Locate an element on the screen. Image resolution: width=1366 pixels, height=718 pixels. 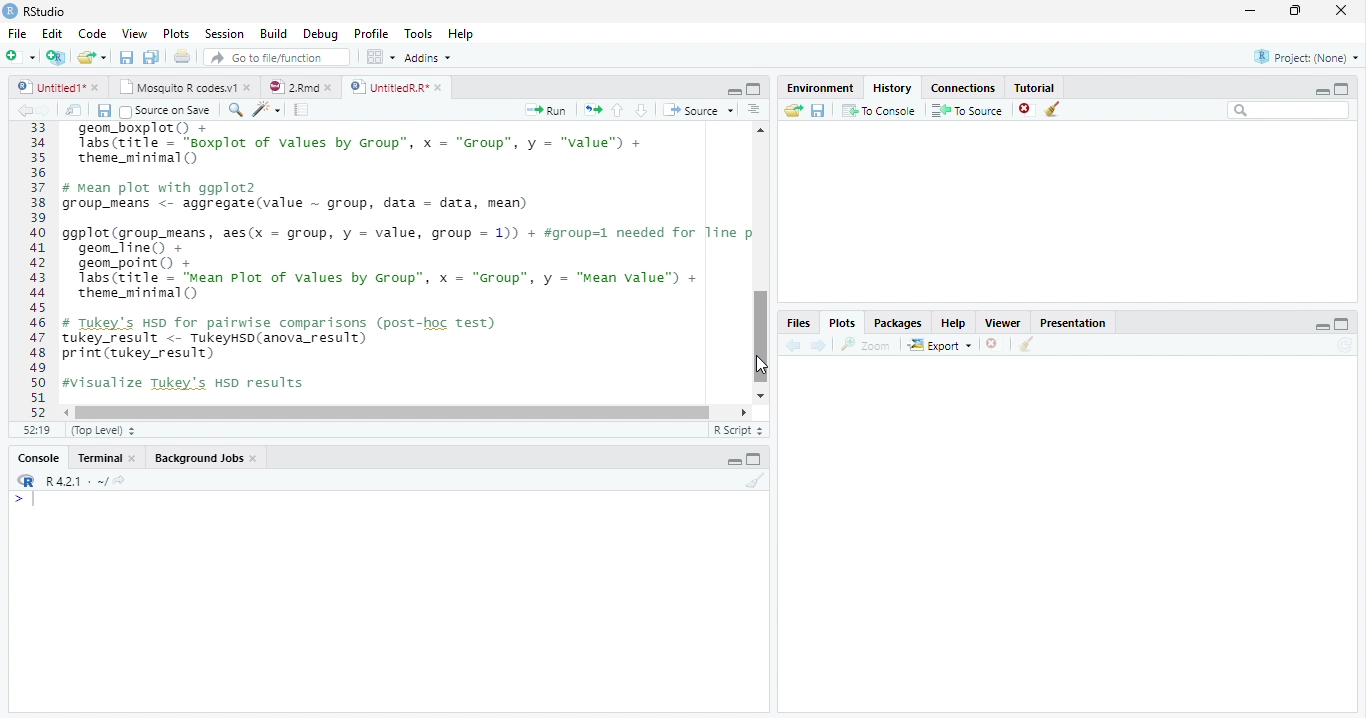
background jobs is located at coordinates (207, 460).